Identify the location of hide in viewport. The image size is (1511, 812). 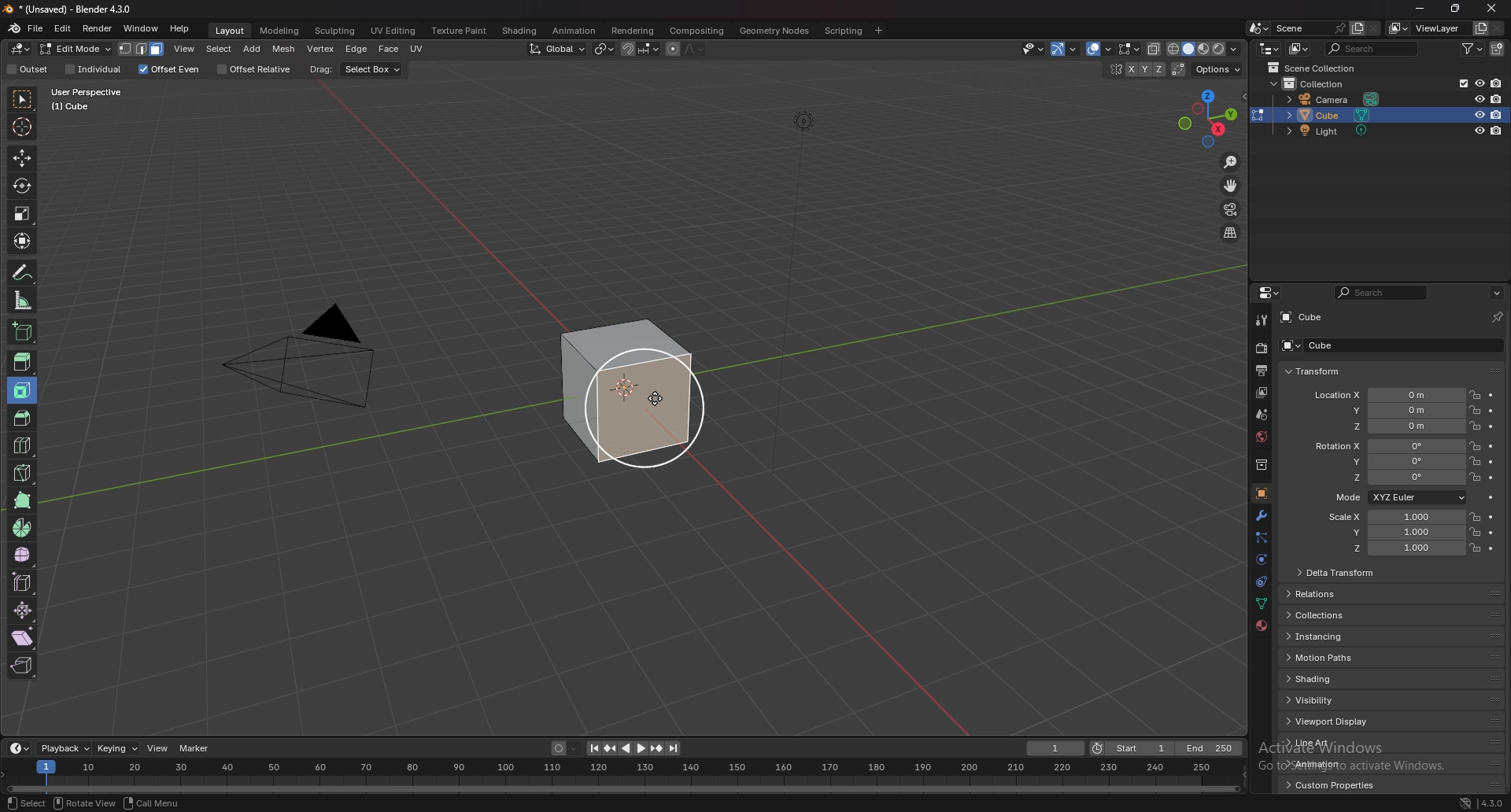
(1479, 97).